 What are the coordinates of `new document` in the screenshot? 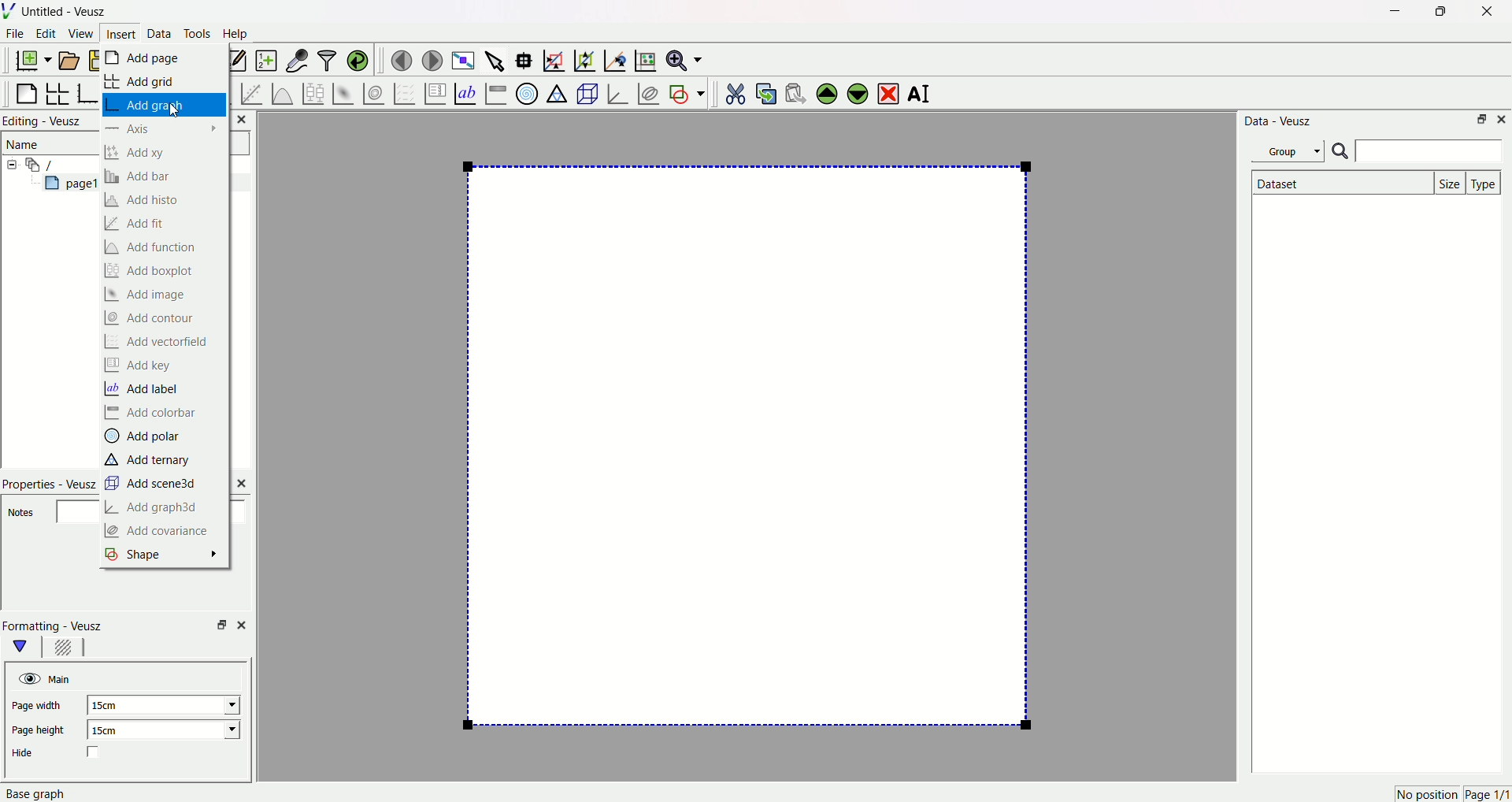 It's located at (35, 61).